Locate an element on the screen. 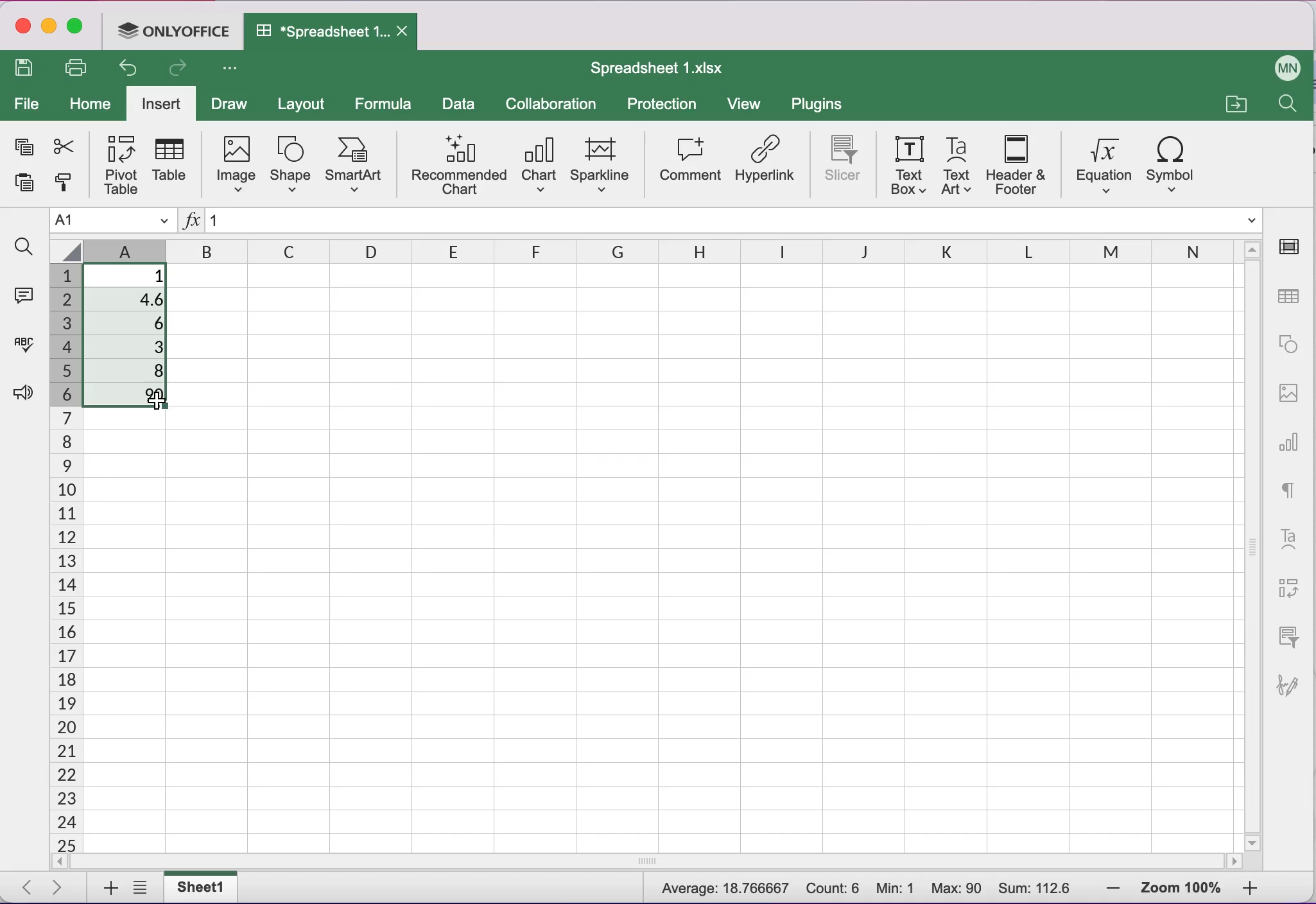 The width and height of the screenshot is (1316, 904). 6 is located at coordinates (132, 324).